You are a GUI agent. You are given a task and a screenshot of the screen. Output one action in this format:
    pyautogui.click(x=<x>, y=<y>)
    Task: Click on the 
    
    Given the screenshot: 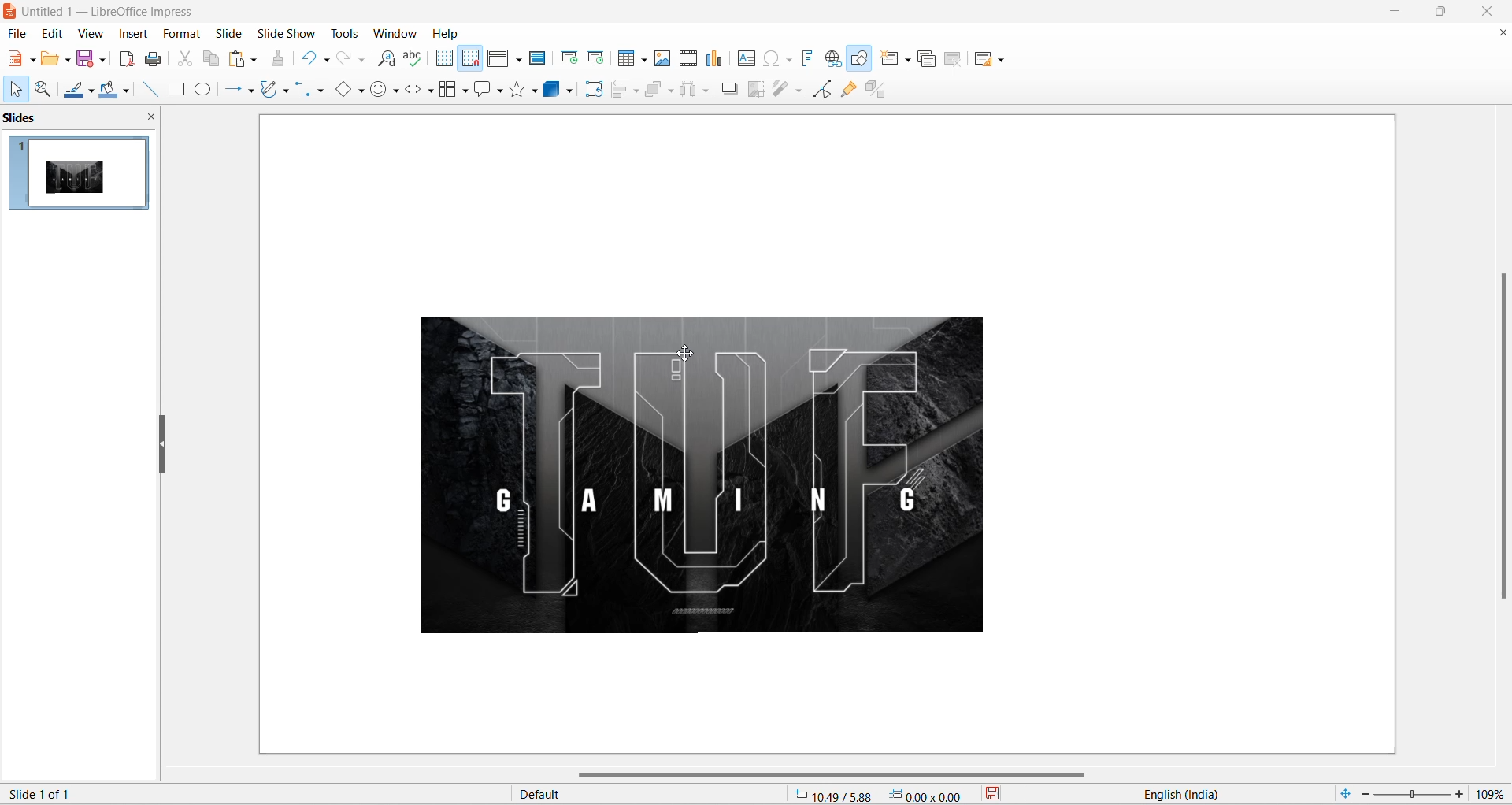 What is the action you would take?
    pyautogui.click(x=20, y=34)
    